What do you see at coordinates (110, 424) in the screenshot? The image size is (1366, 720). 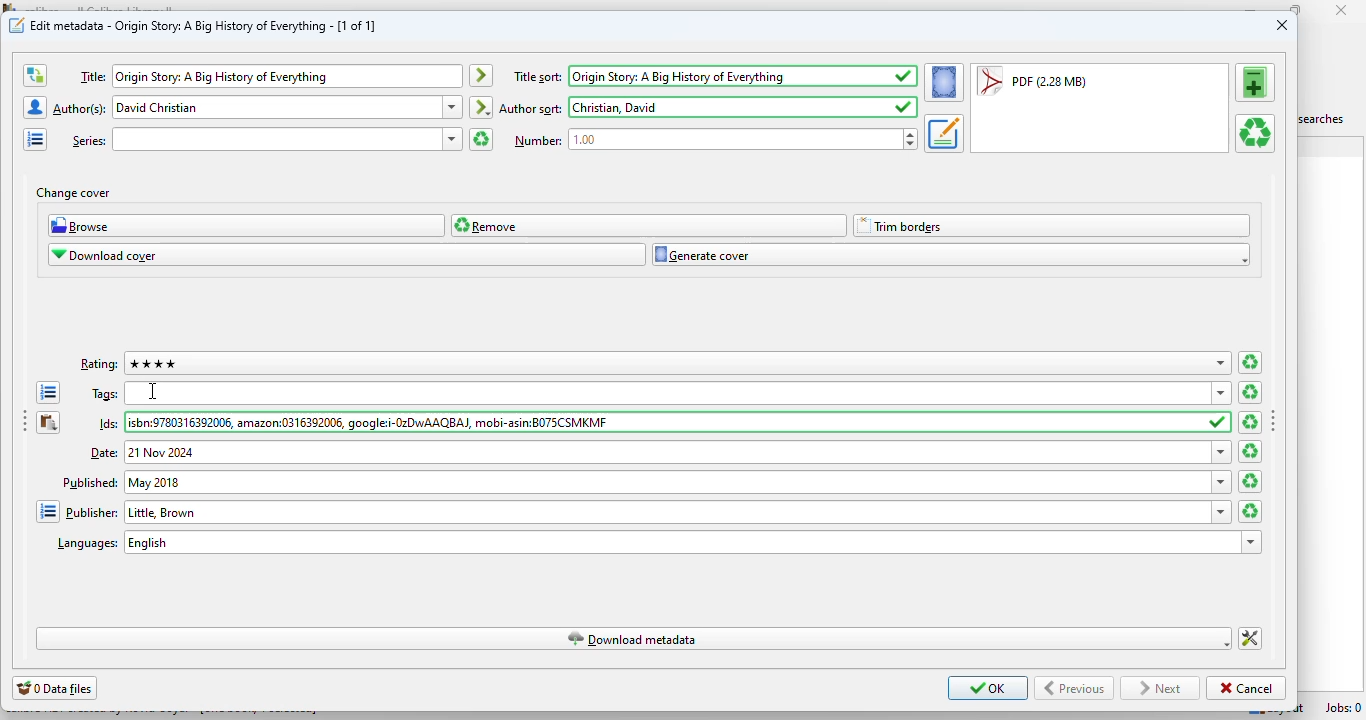 I see `text` at bounding box center [110, 424].